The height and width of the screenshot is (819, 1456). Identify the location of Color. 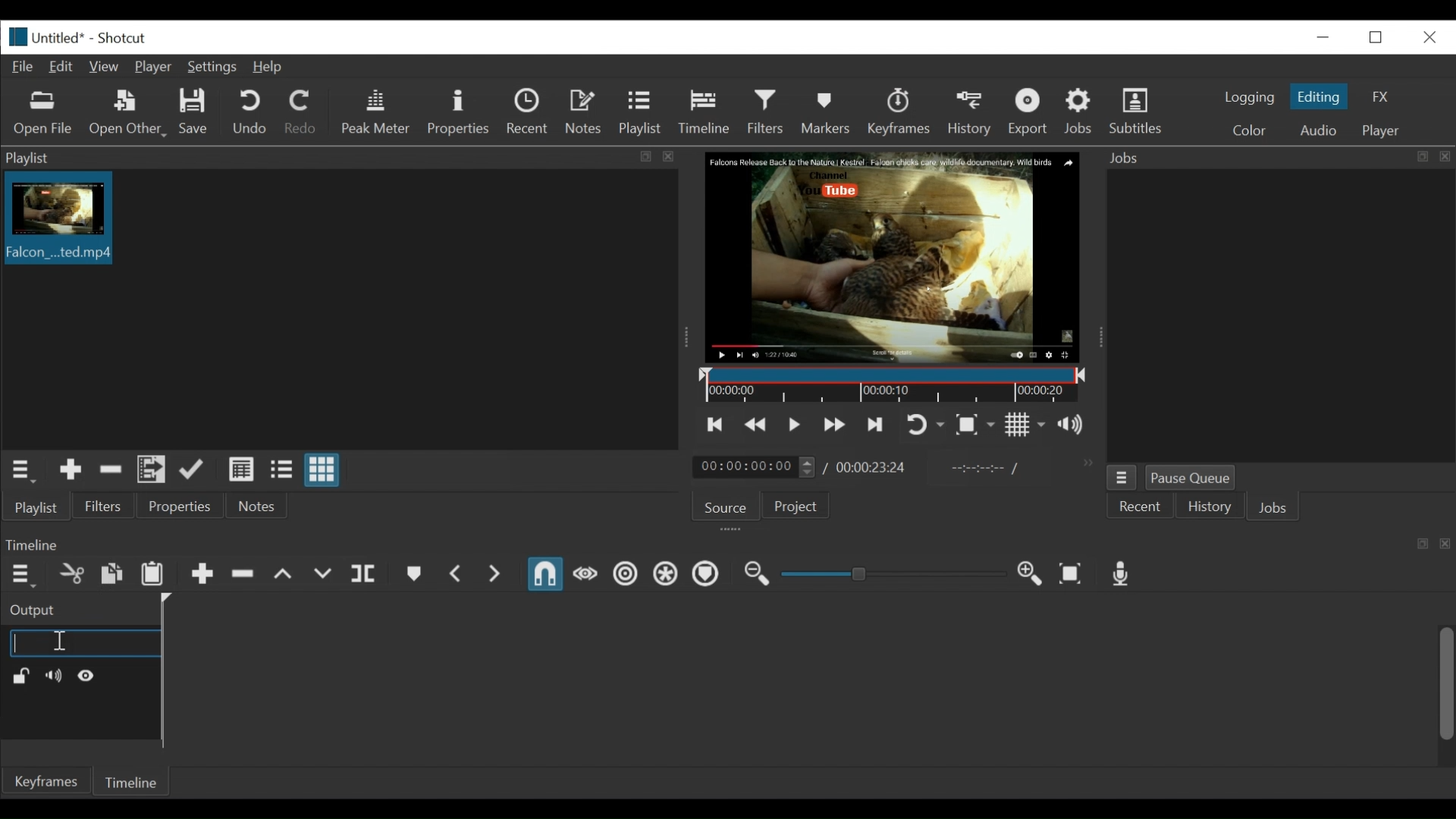
(1246, 130).